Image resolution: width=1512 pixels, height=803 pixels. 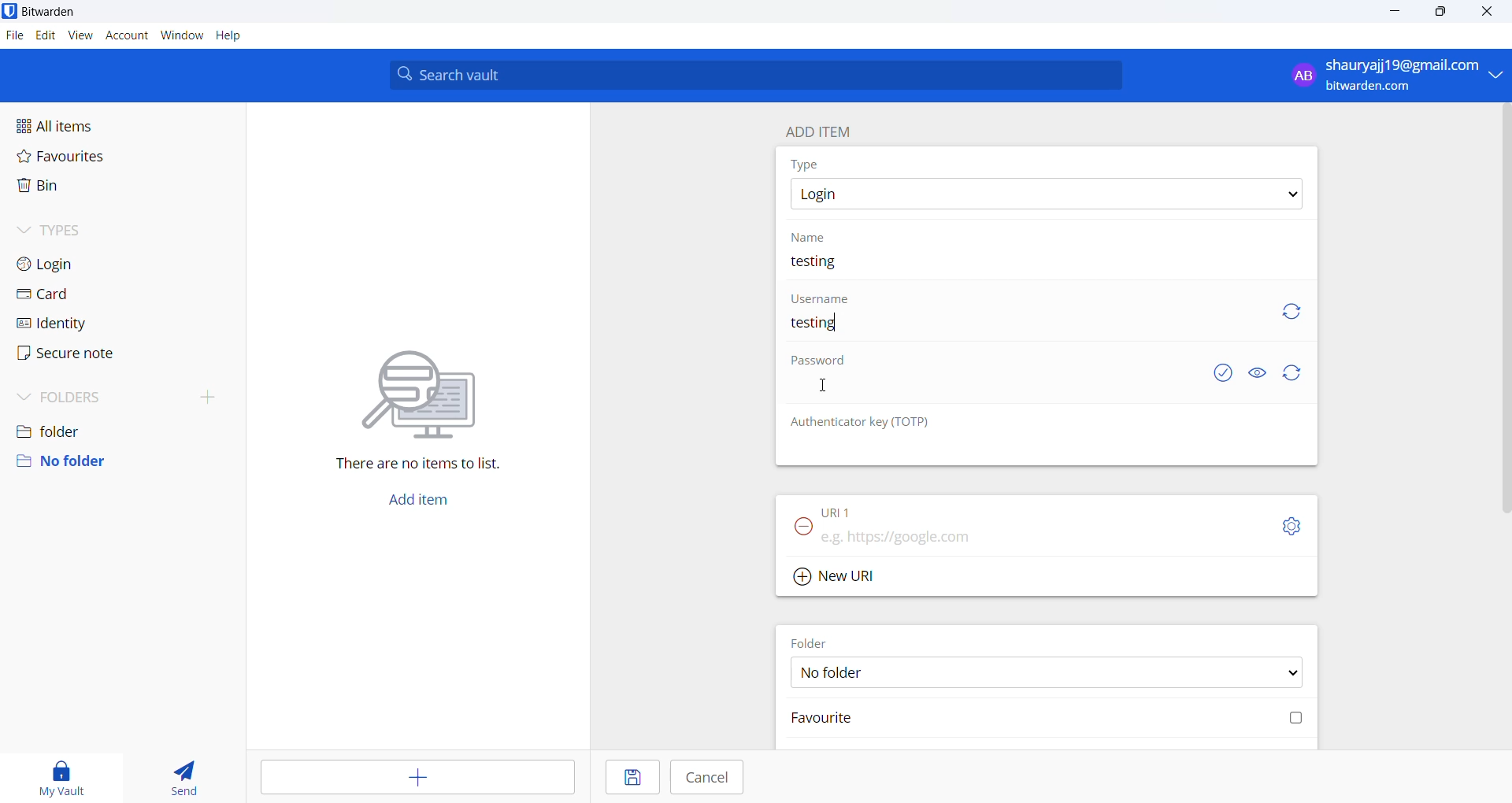 I want to click on cancel, so click(x=706, y=777).